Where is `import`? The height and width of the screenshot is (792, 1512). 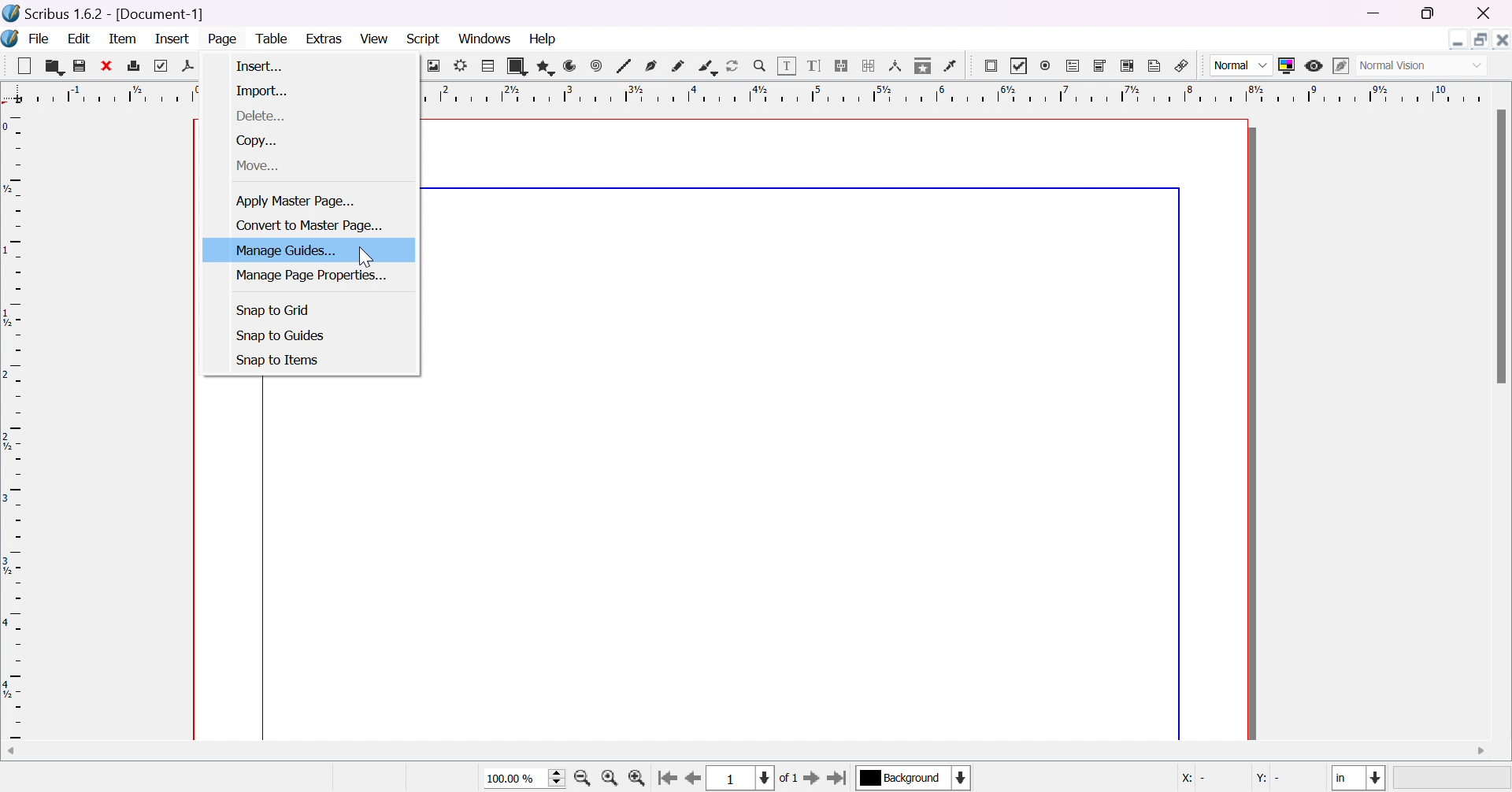 import is located at coordinates (269, 91).